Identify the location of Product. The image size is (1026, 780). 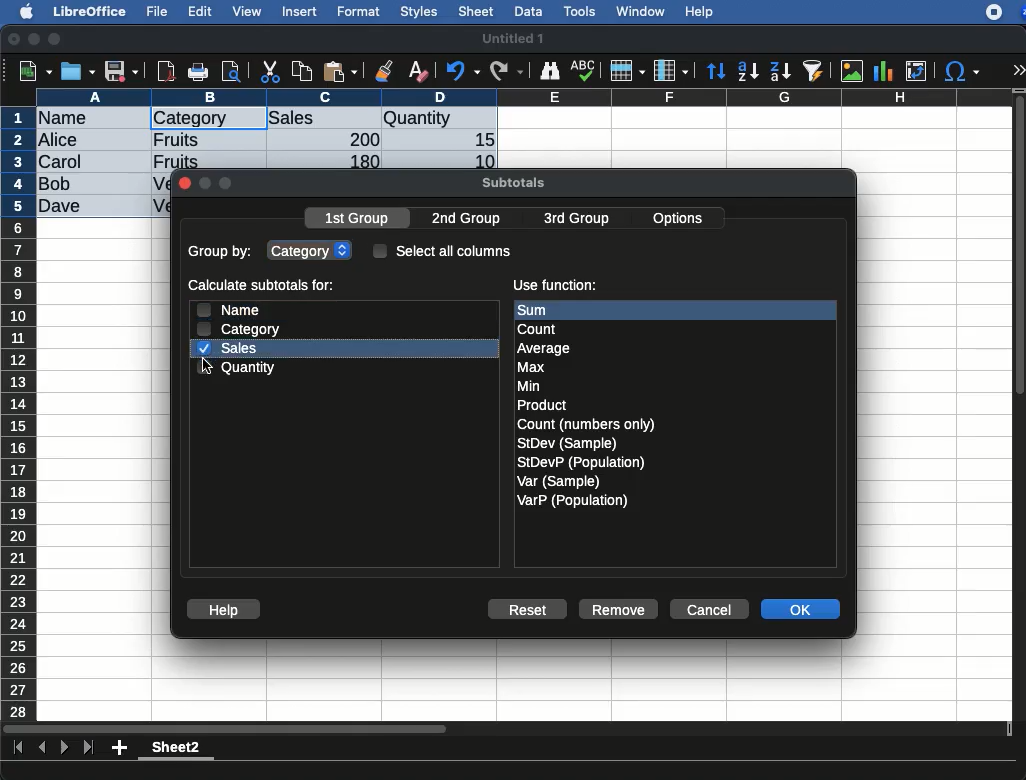
(541, 406).